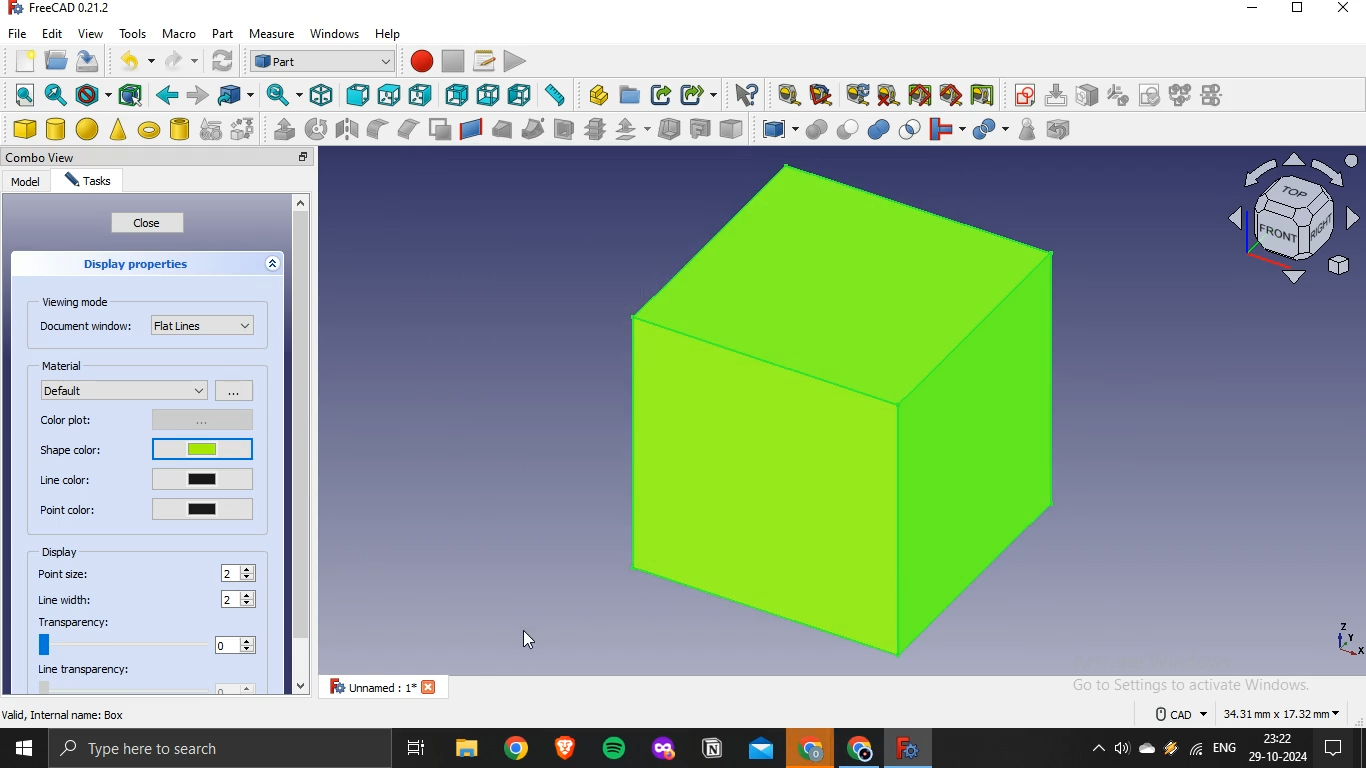  I want to click on go to linked object, so click(236, 94).